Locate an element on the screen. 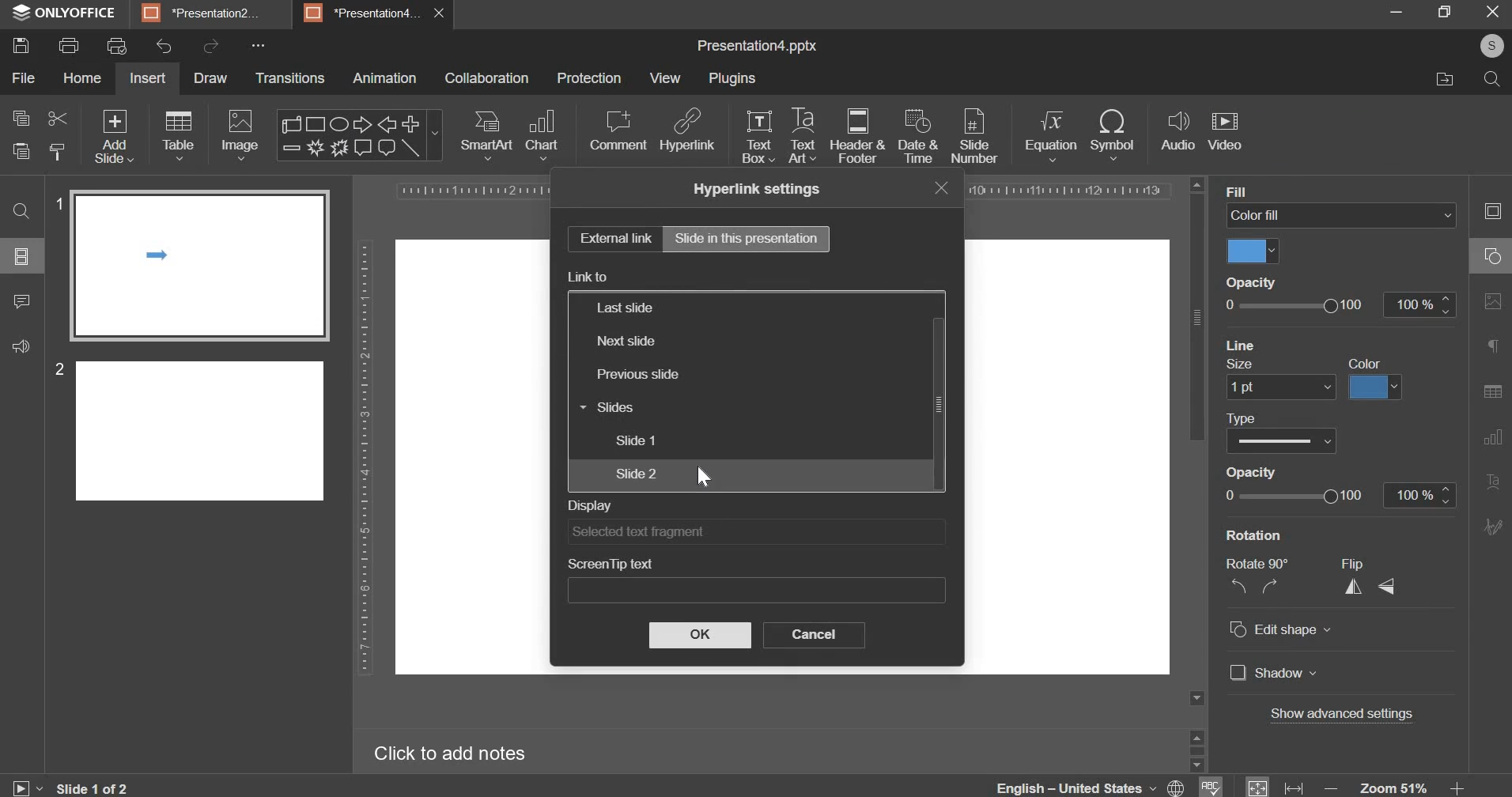  header & footer is located at coordinates (857, 137).